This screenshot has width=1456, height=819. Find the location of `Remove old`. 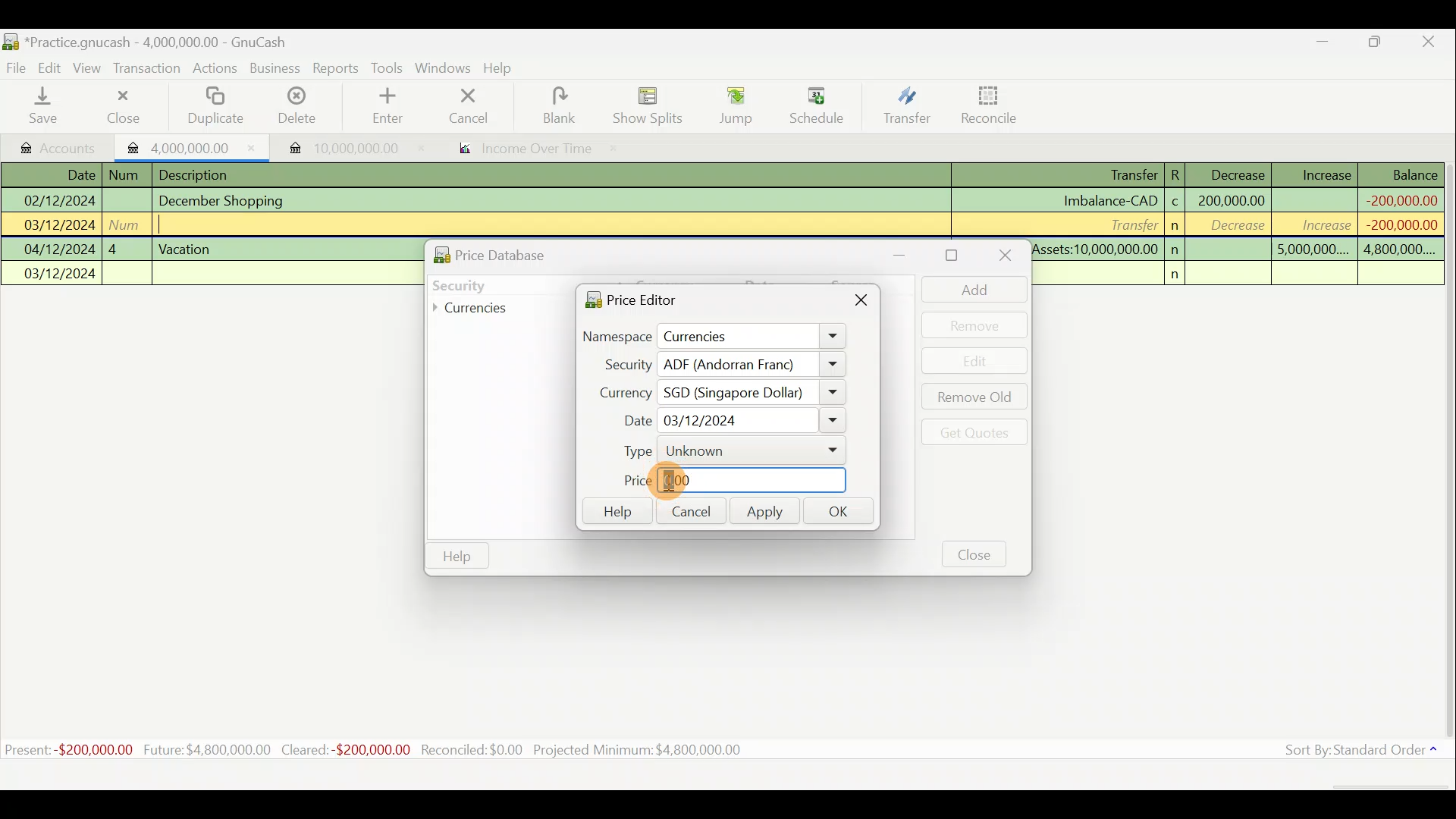

Remove old is located at coordinates (971, 398).